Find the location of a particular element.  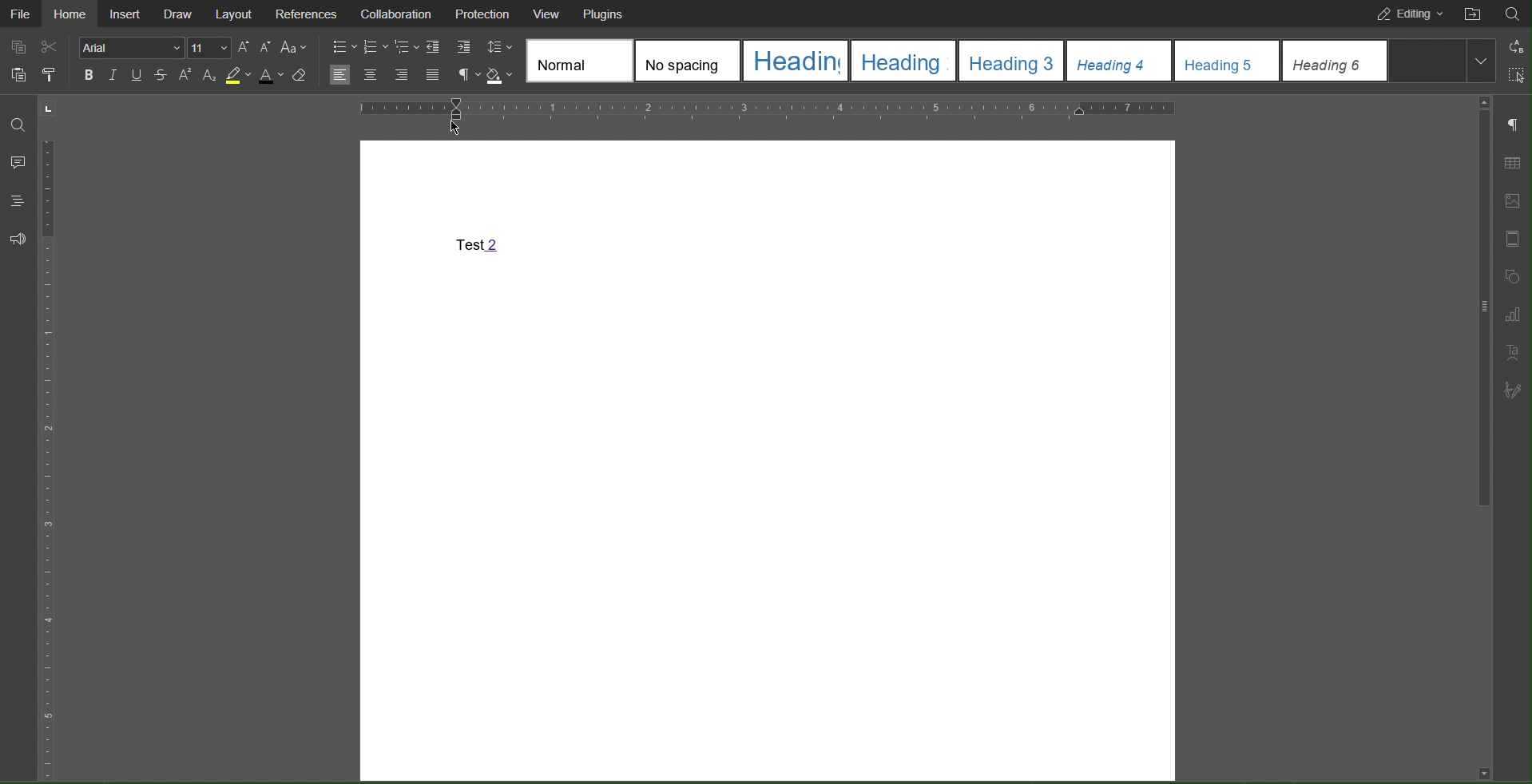

Erase is located at coordinates (302, 75).